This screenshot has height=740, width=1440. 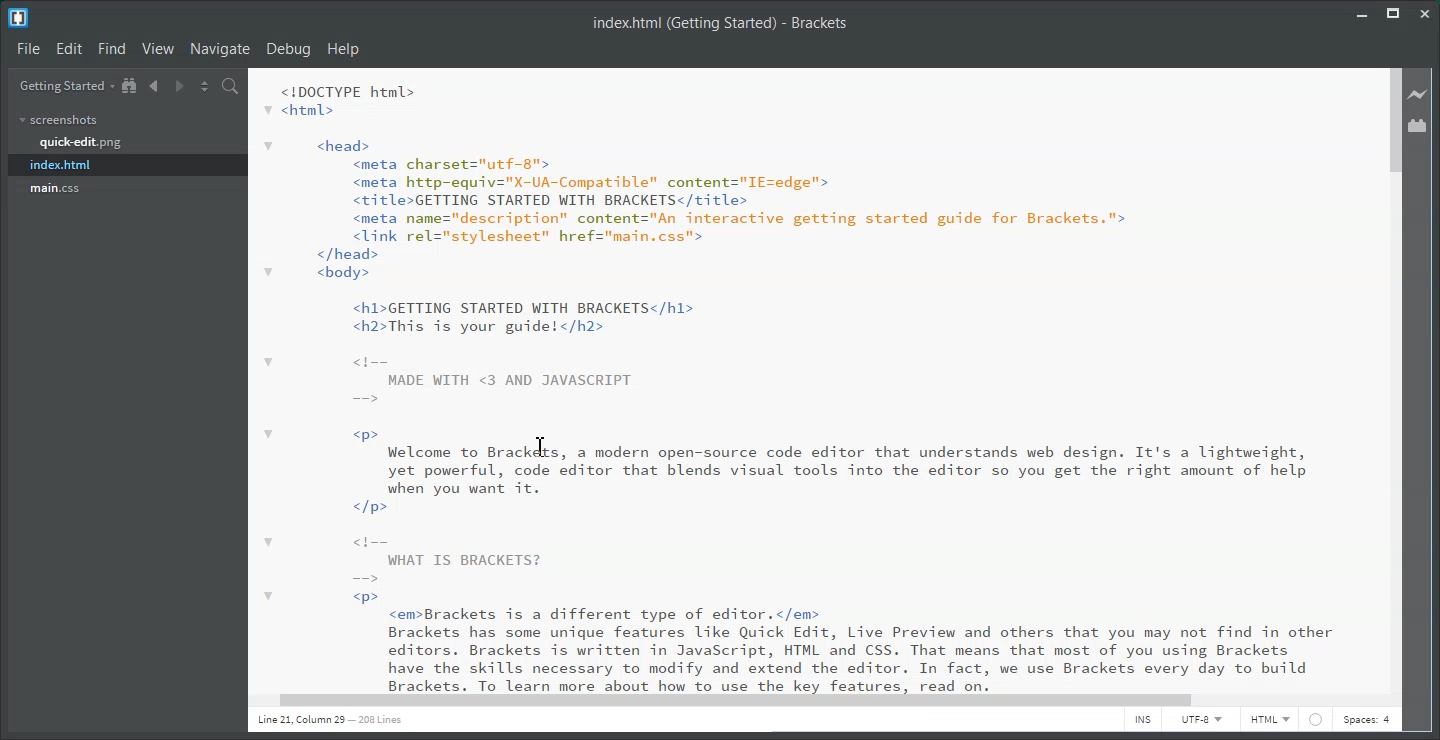 I want to click on Help, so click(x=343, y=49).